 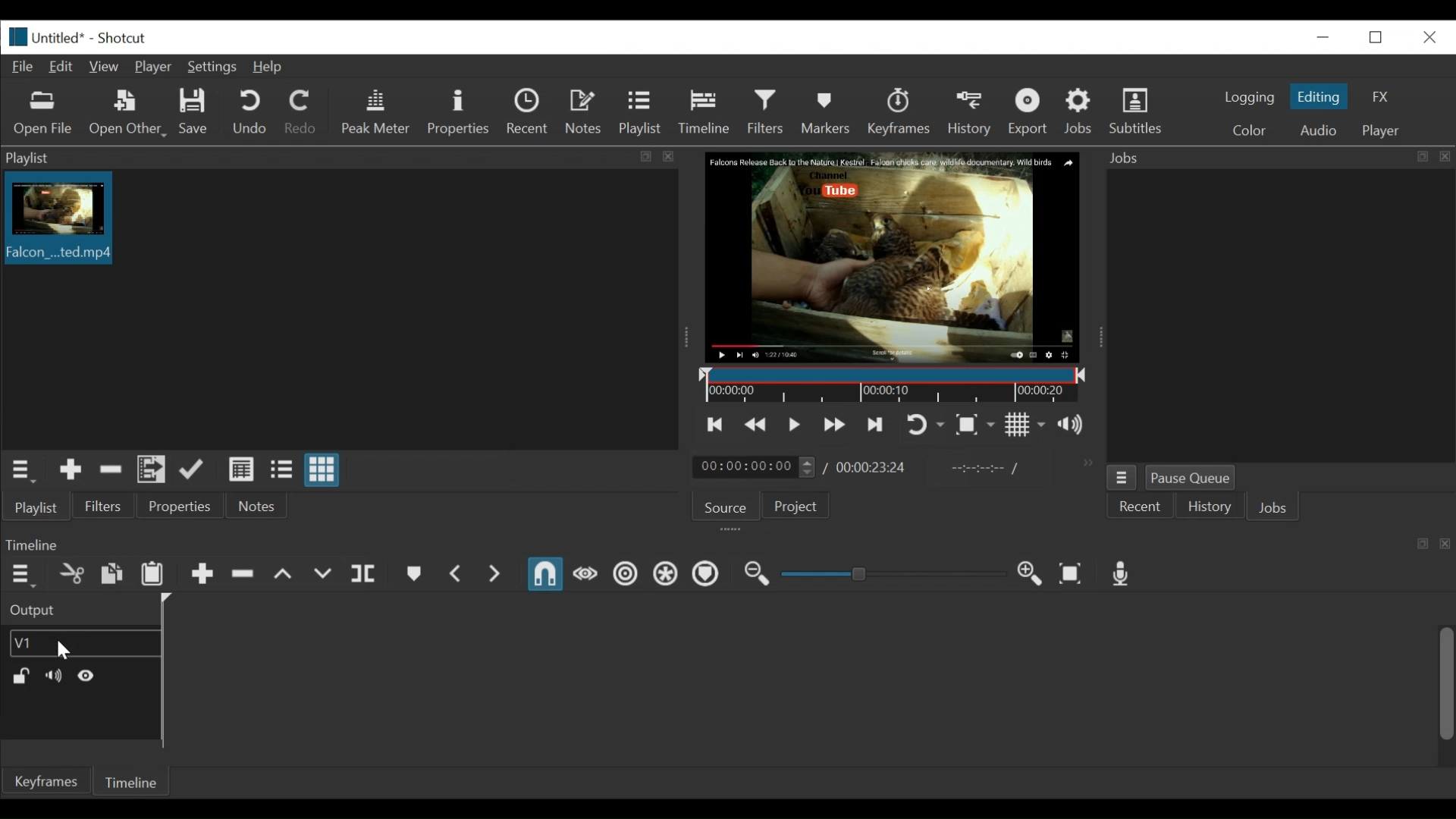 I want to click on History, so click(x=972, y=114).